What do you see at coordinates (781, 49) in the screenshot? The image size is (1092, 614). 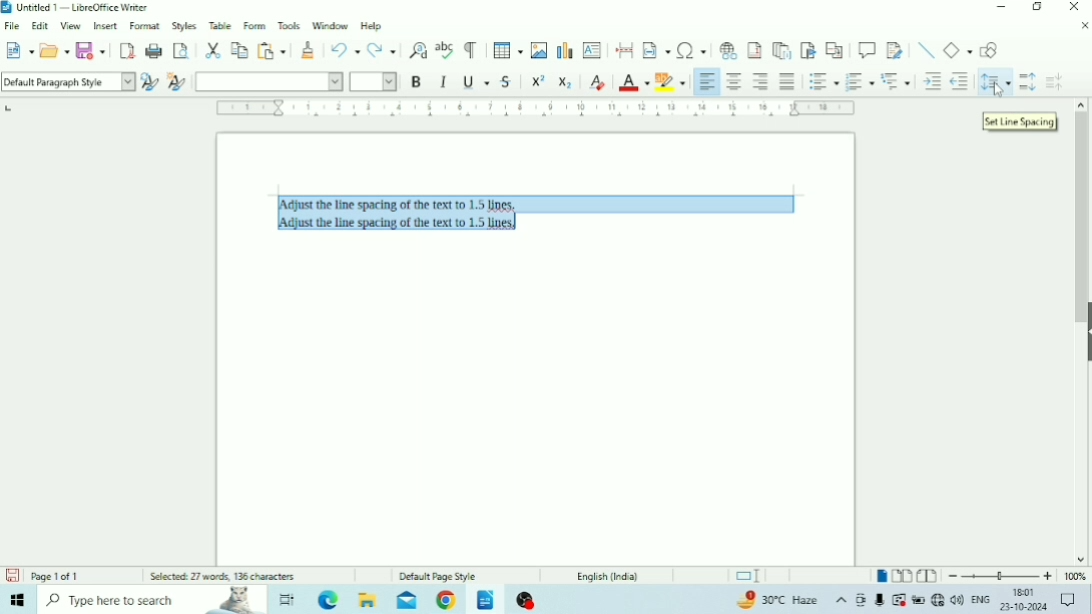 I see `Insert Endnote` at bounding box center [781, 49].